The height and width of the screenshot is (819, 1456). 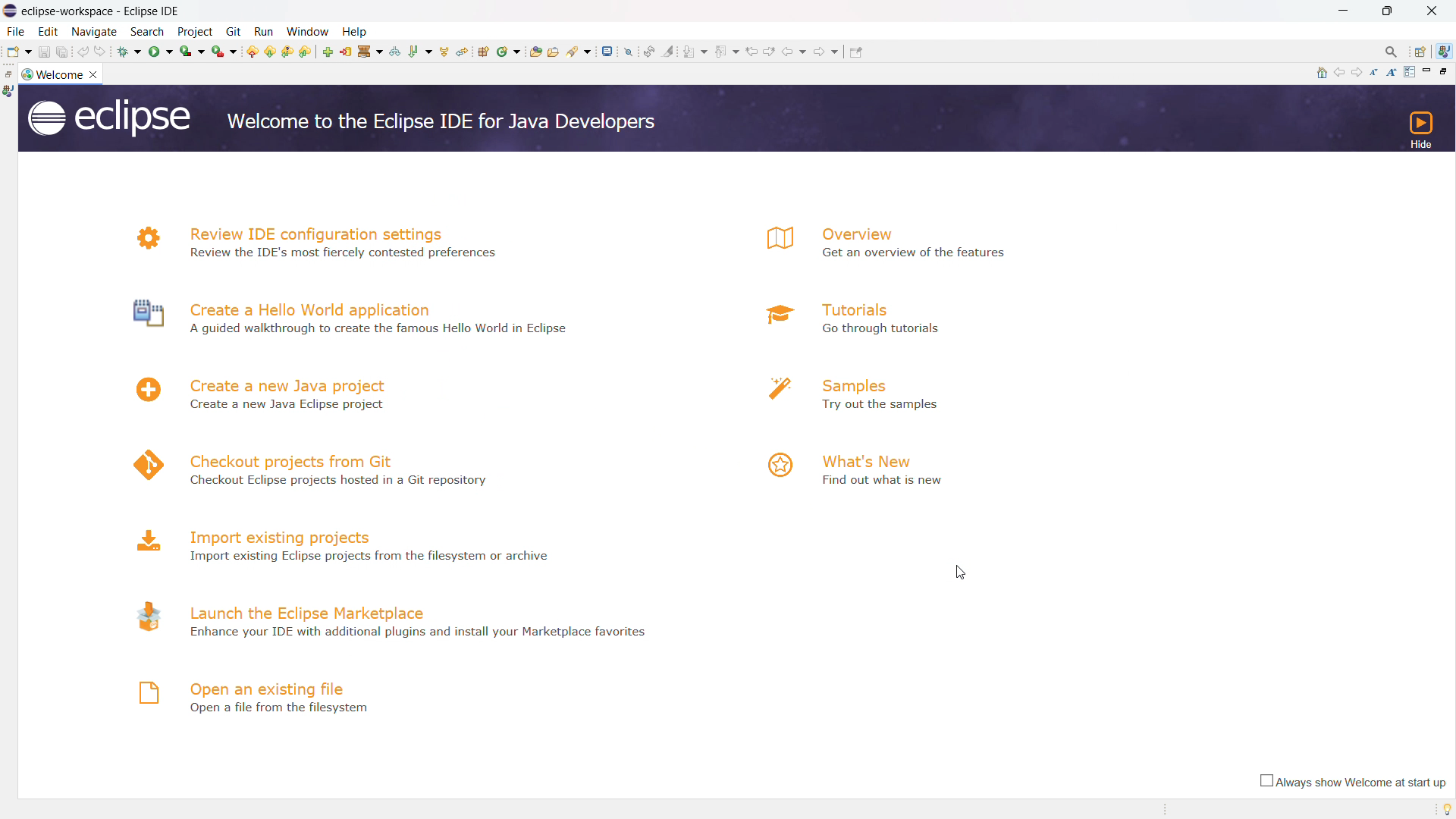 What do you see at coordinates (595, 51) in the screenshot?
I see `forward` at bounding box center [595, 51].